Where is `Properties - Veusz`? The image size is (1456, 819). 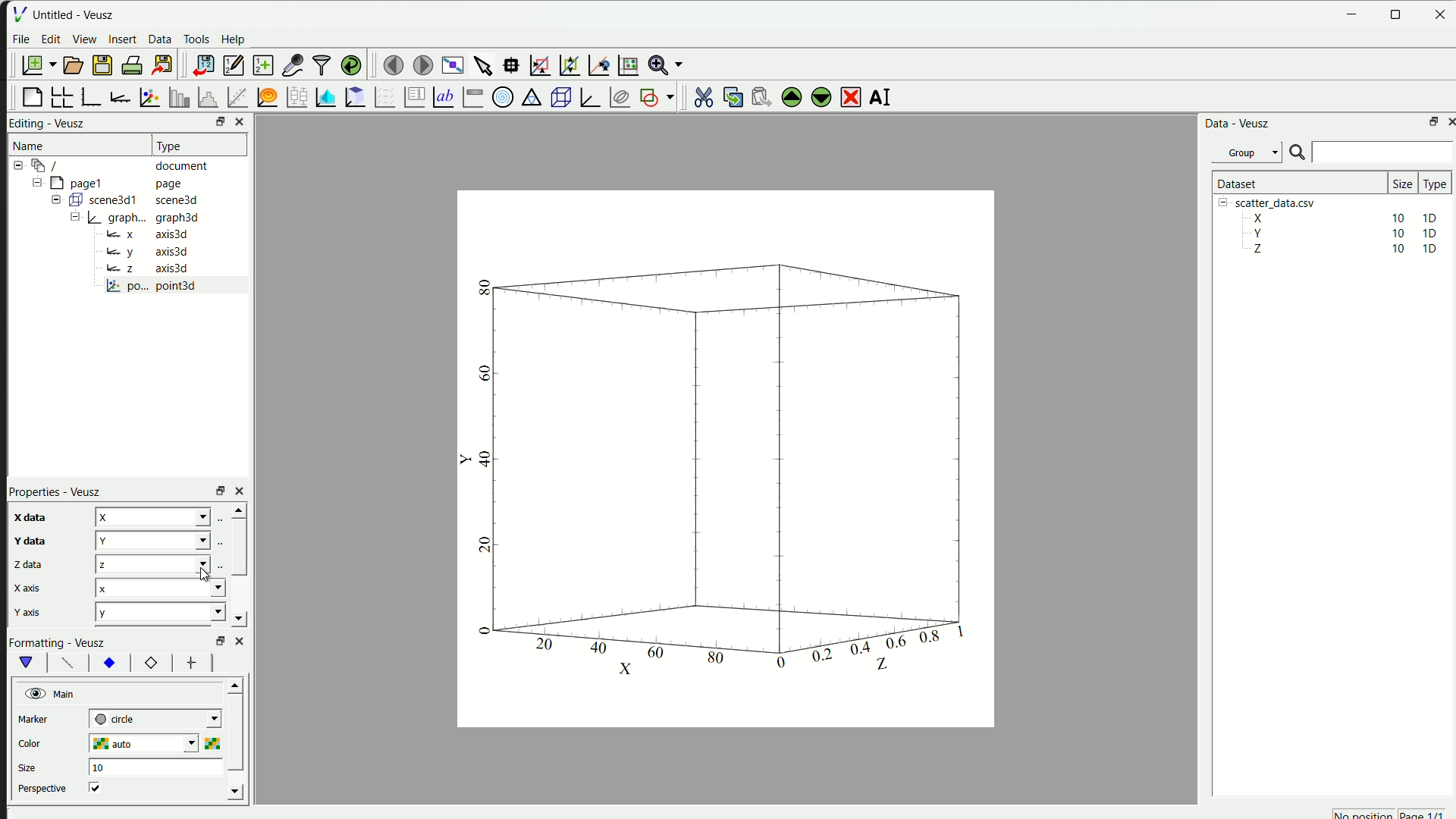
Properties - Veusz is located at coordinates (55, 491).